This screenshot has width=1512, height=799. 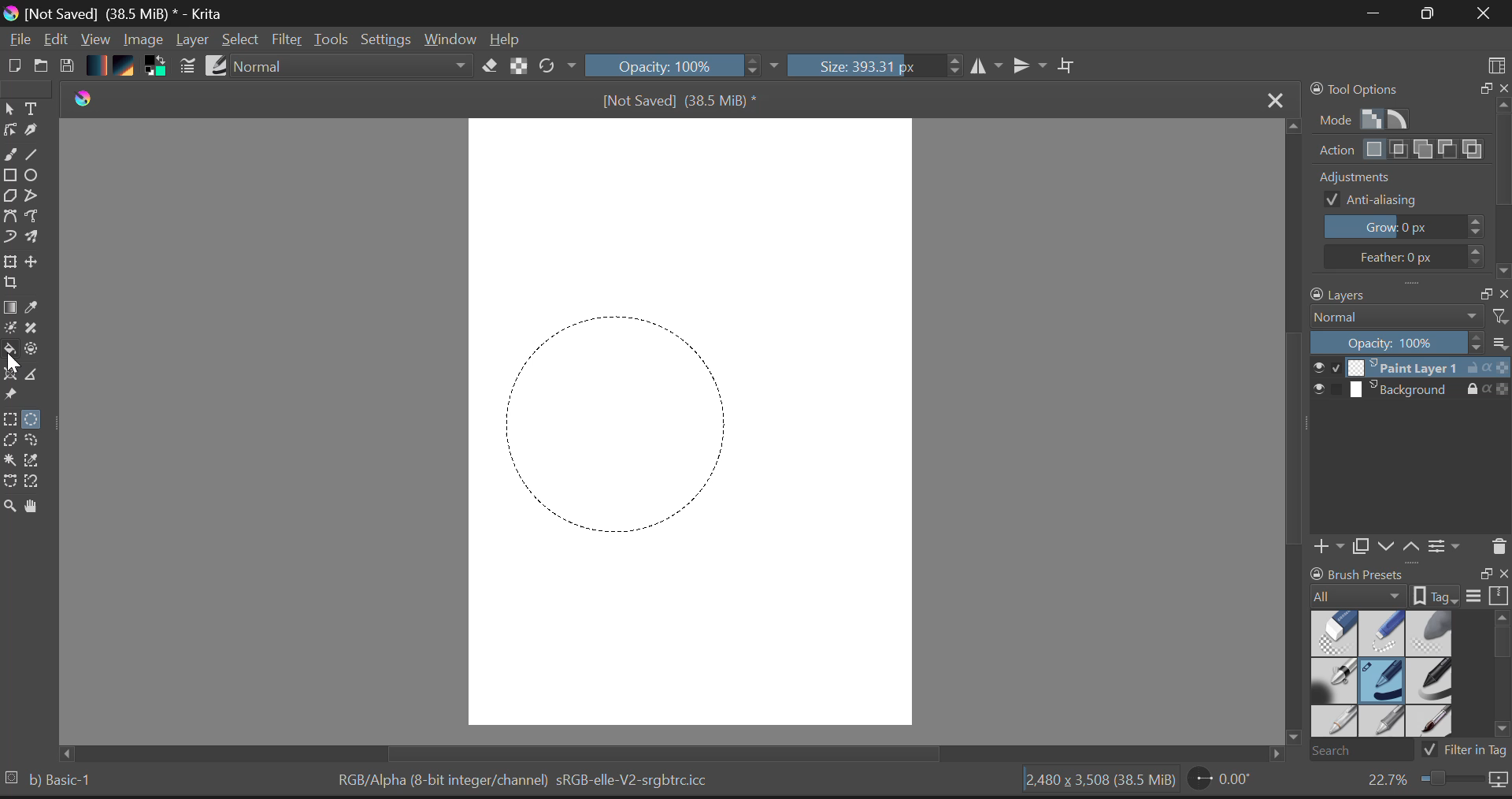 What do you see at coordinates (1480, 15) in the screenshot?
I see `Close` at bounding box center [1480, 15].